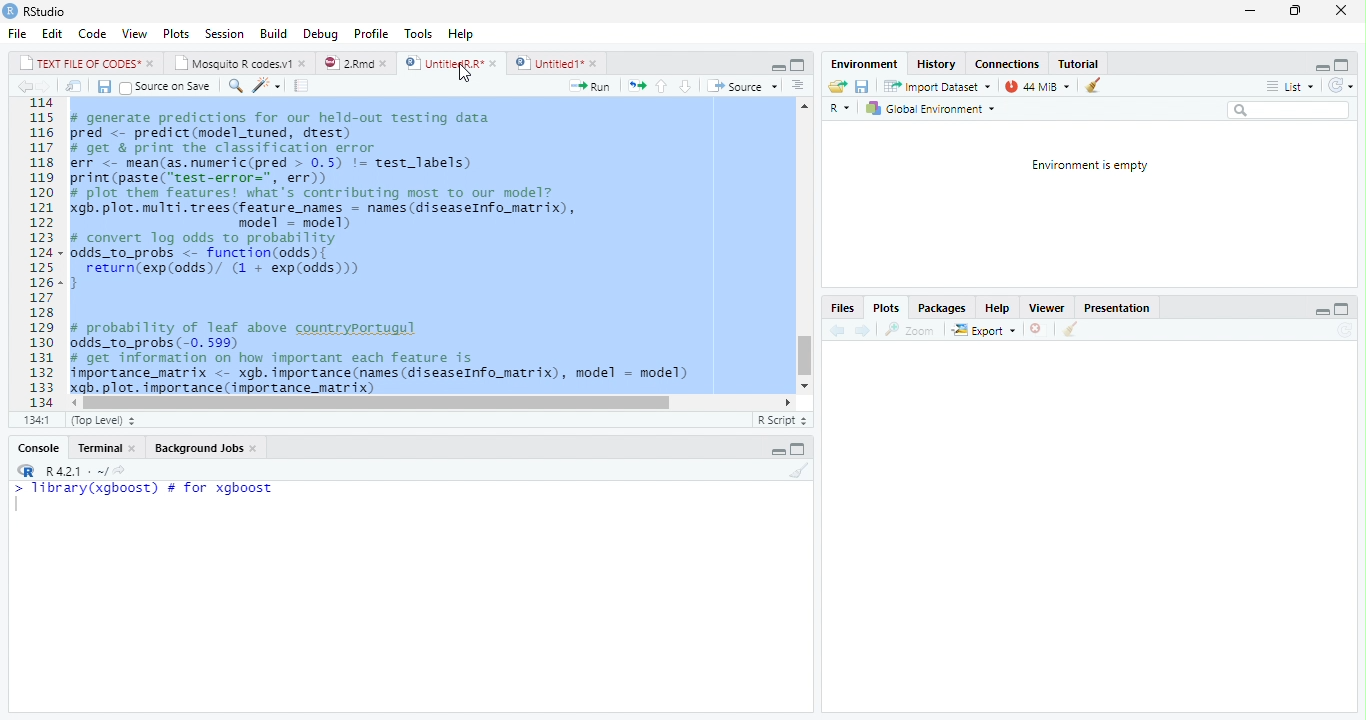 The height and width of the screenshot is (720, 1366). Describe the element at coordinates (1322, 309) in the screenshot. I see `Minimize` at that location.